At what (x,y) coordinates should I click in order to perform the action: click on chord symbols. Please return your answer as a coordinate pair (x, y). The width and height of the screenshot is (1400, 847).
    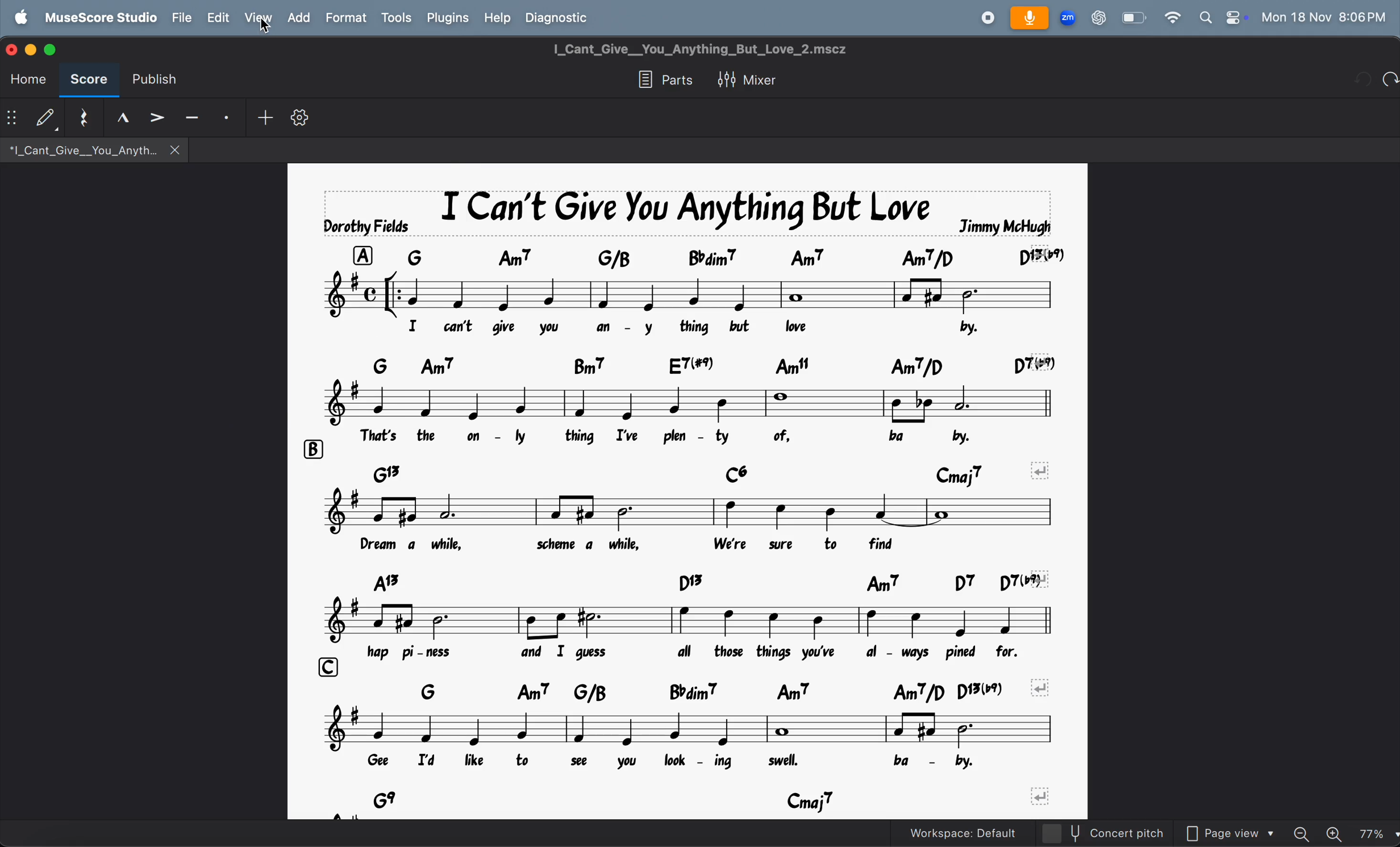
    Looking at the image, I should click on (703, 473).